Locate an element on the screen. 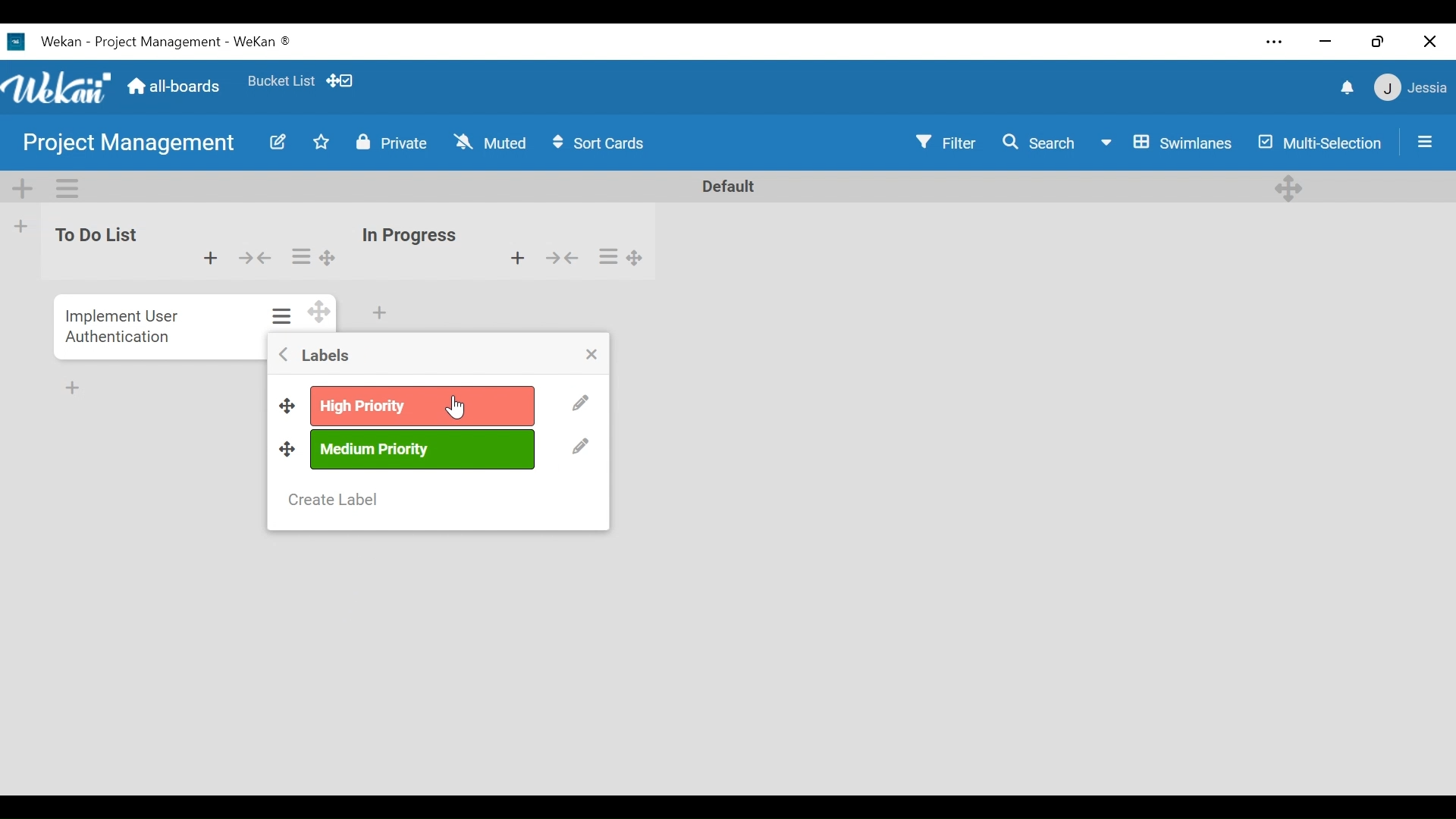 Image resolution: width=1456 pixels, height=819 pixels. Multi-Selection is located at coordinates (1320, 141).